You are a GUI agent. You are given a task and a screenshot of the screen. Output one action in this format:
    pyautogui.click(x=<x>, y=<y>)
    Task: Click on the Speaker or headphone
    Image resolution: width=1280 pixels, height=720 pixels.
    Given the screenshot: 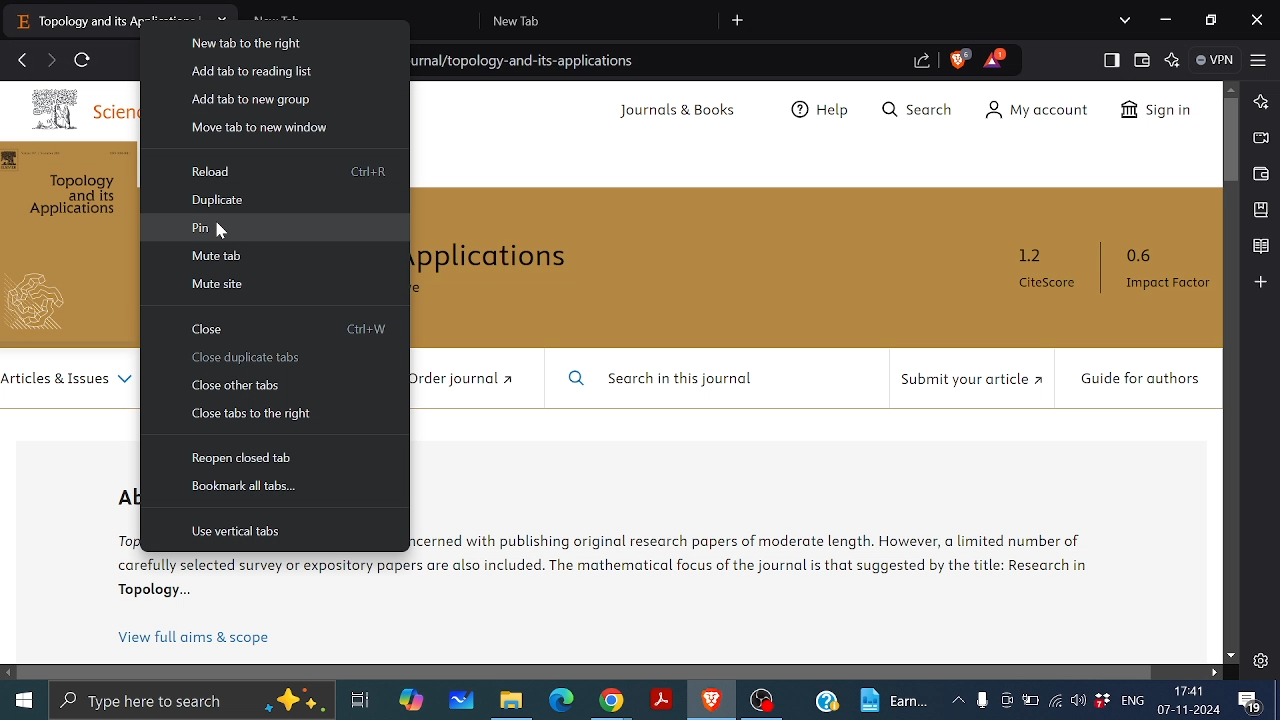 What is the action you would take?
    pyautogui.click(x=1079, y=701)
    